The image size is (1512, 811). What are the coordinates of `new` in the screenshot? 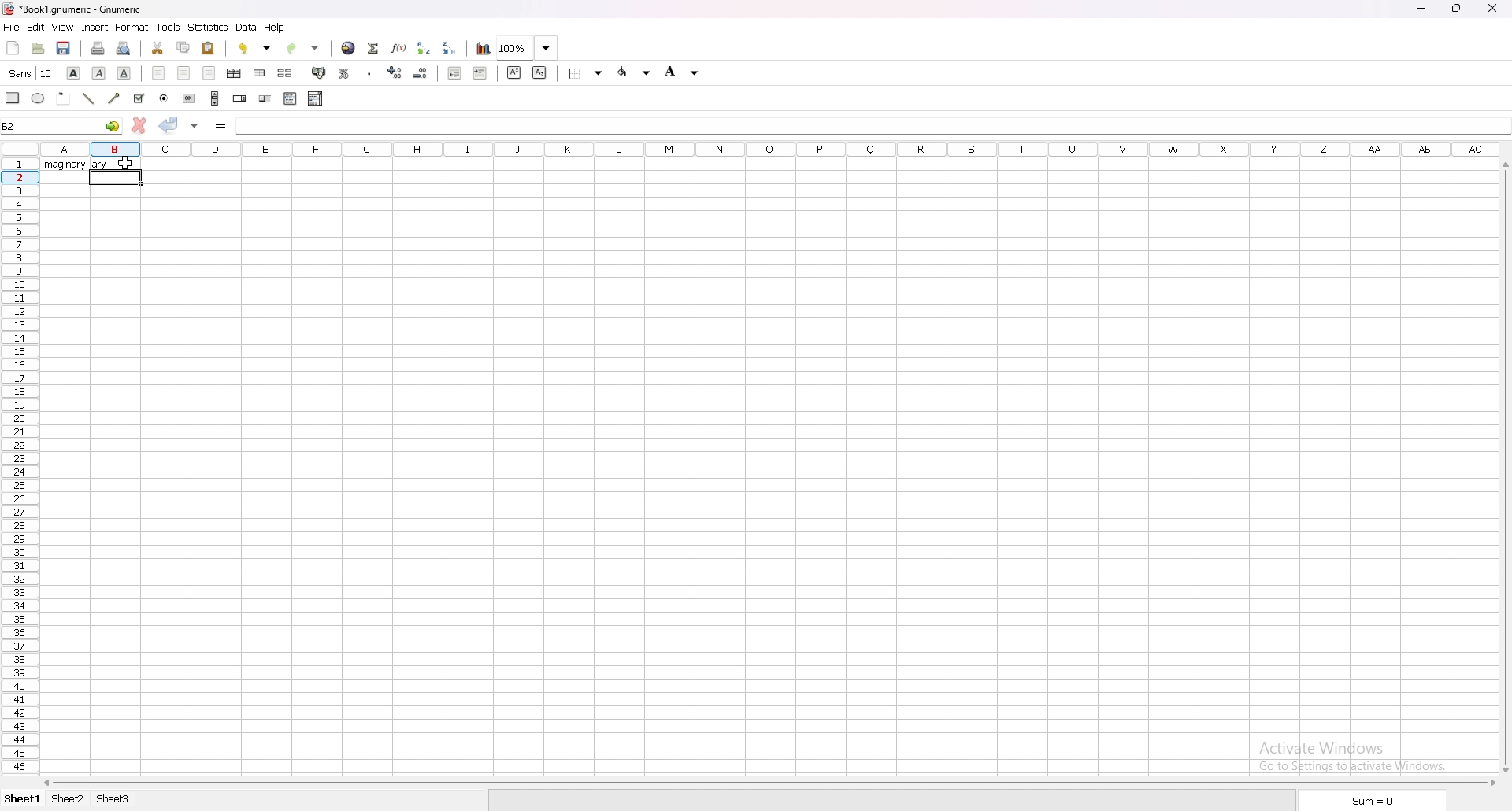 It's located at (13, 46).